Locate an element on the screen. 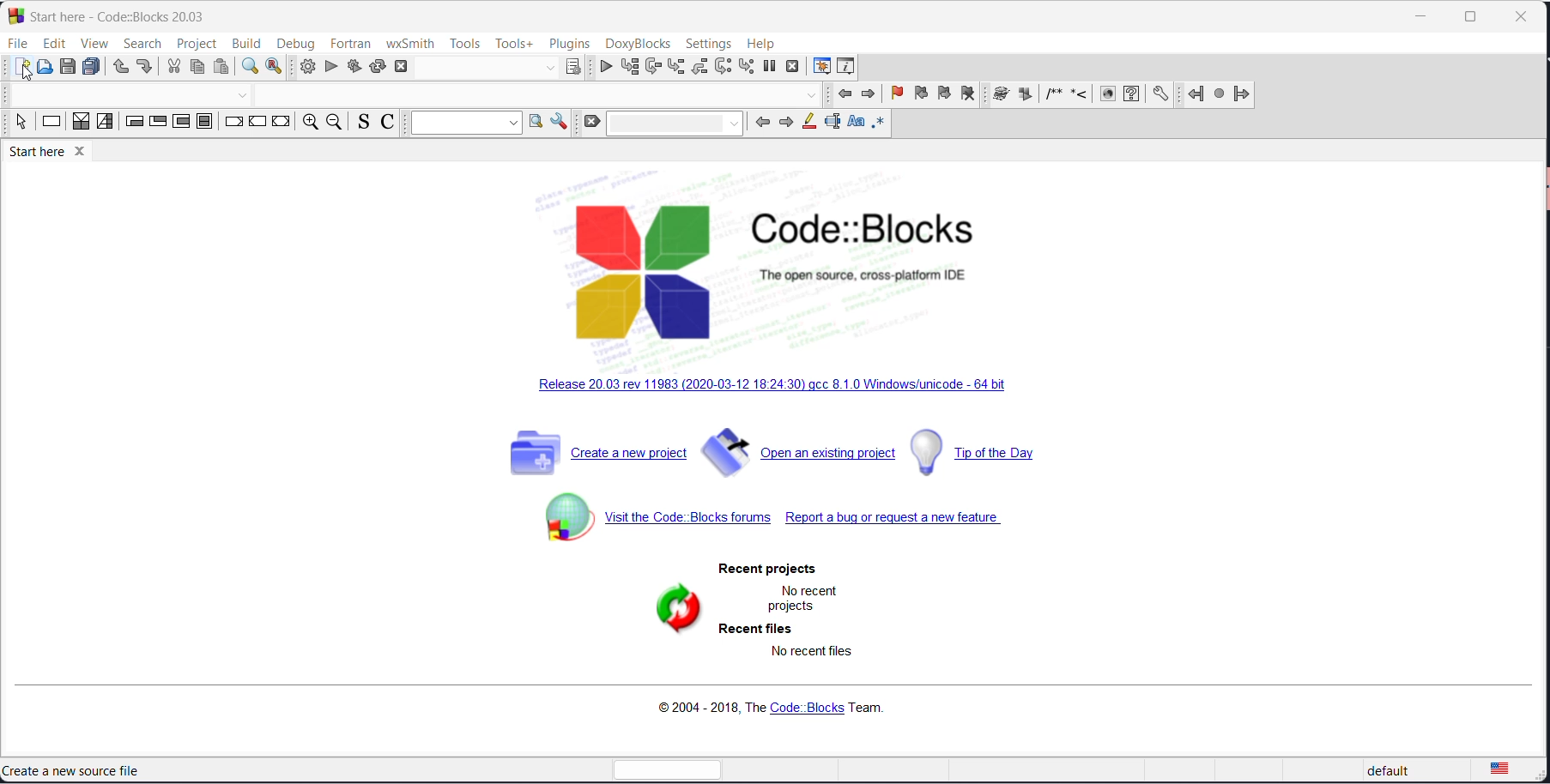 This screenshot has width=1550, height=784. settings is located at coordinates (709, 43).